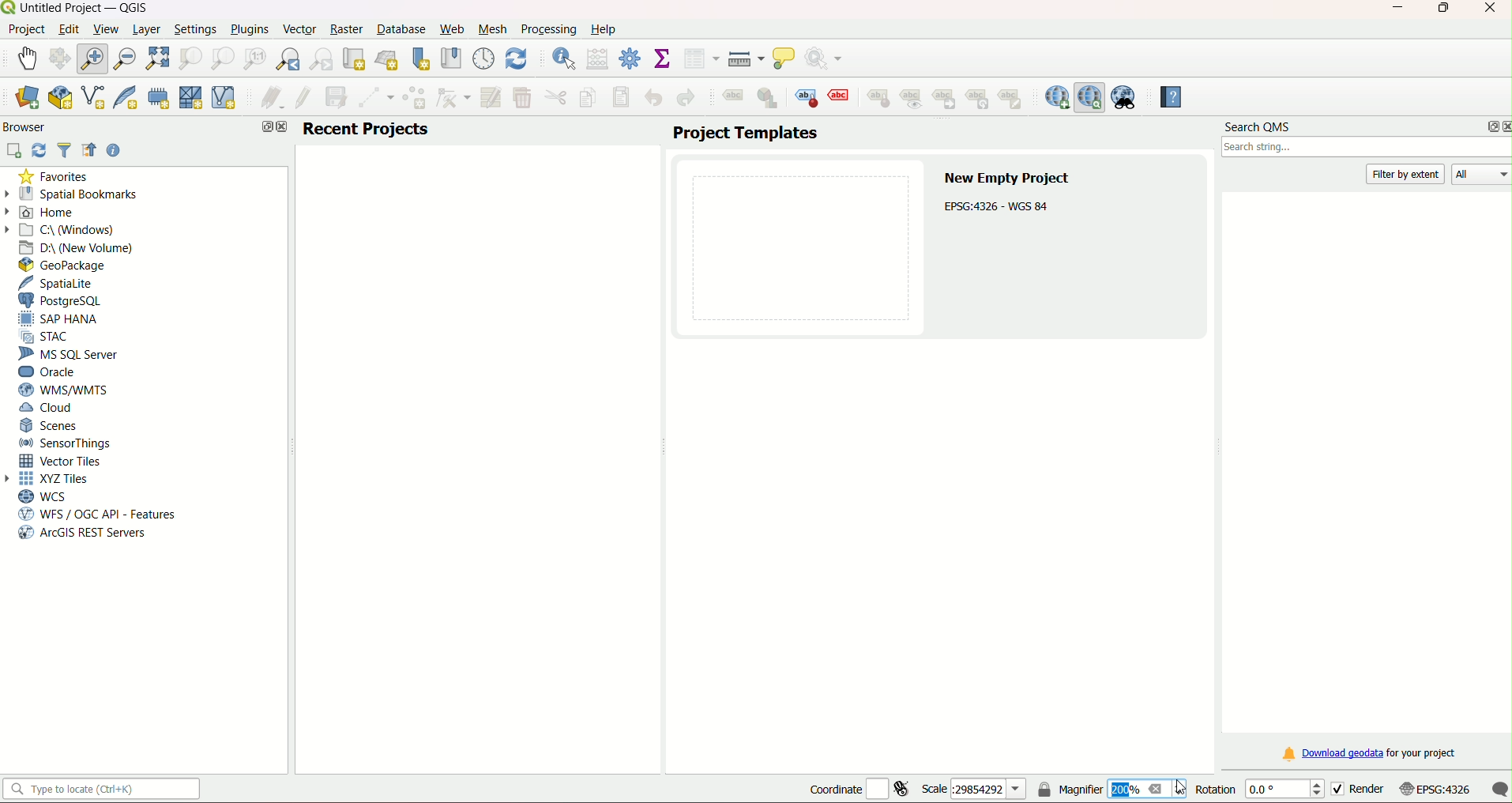  What do you see at coordinates (1258, 128) in the screenshot?
I see `search QMS` at bounding box center [1258, 128].